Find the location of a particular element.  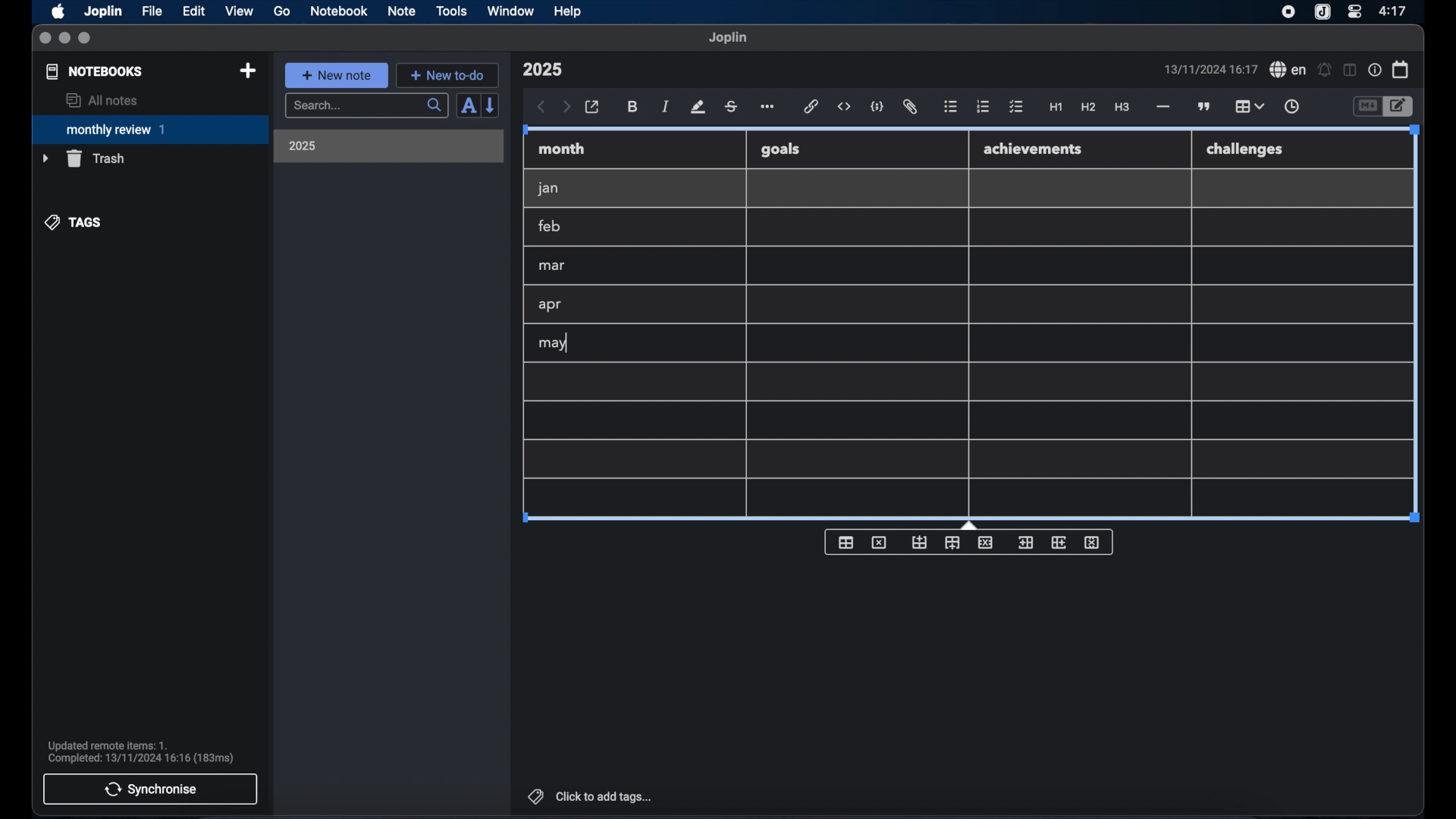

jan is located at coordinates (548, 189).